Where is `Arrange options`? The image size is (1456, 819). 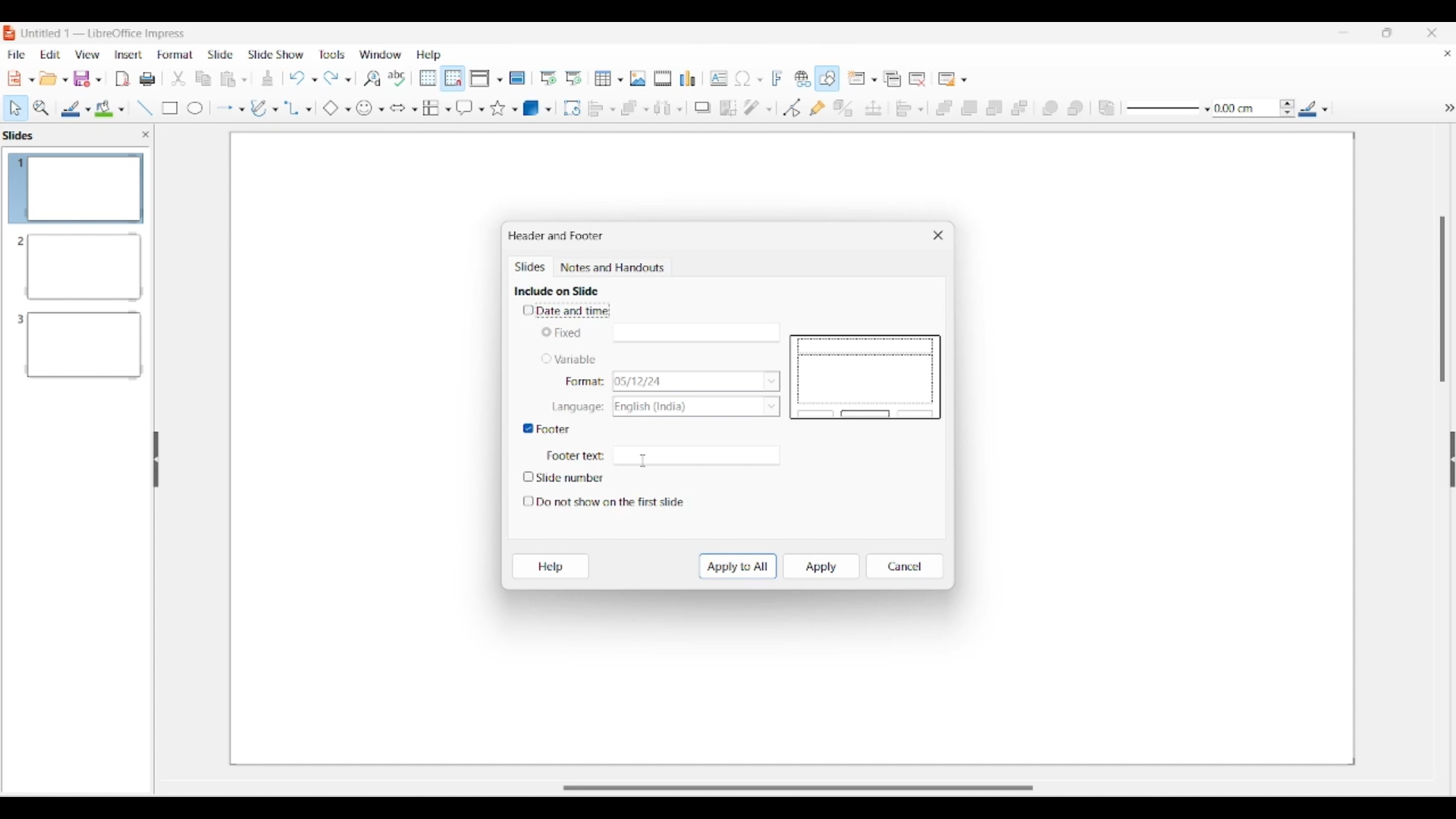
Arrange options is located at coordinates (634, 108).